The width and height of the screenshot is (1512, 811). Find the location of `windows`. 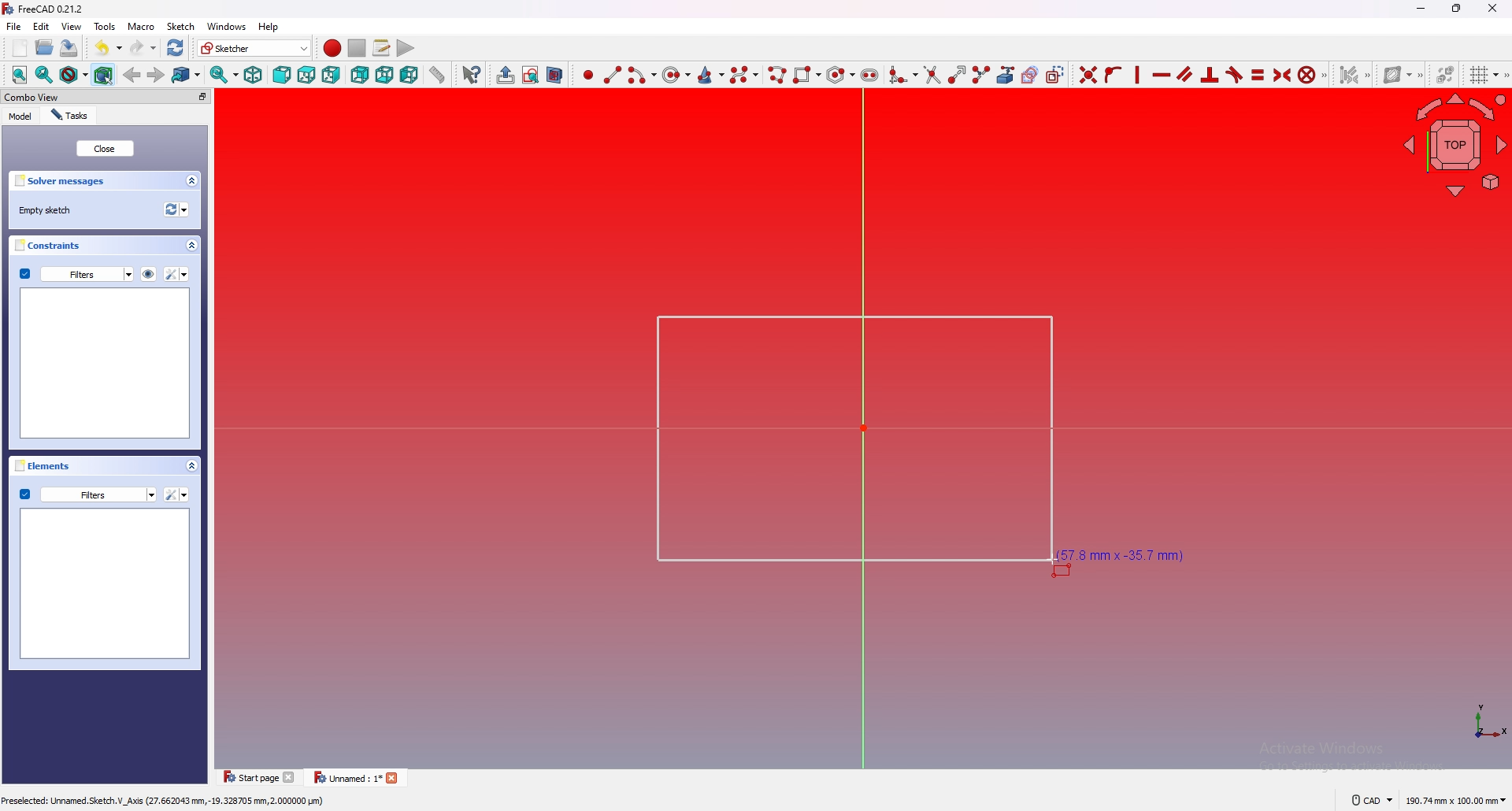

windows is located at coordinates (226, 26).